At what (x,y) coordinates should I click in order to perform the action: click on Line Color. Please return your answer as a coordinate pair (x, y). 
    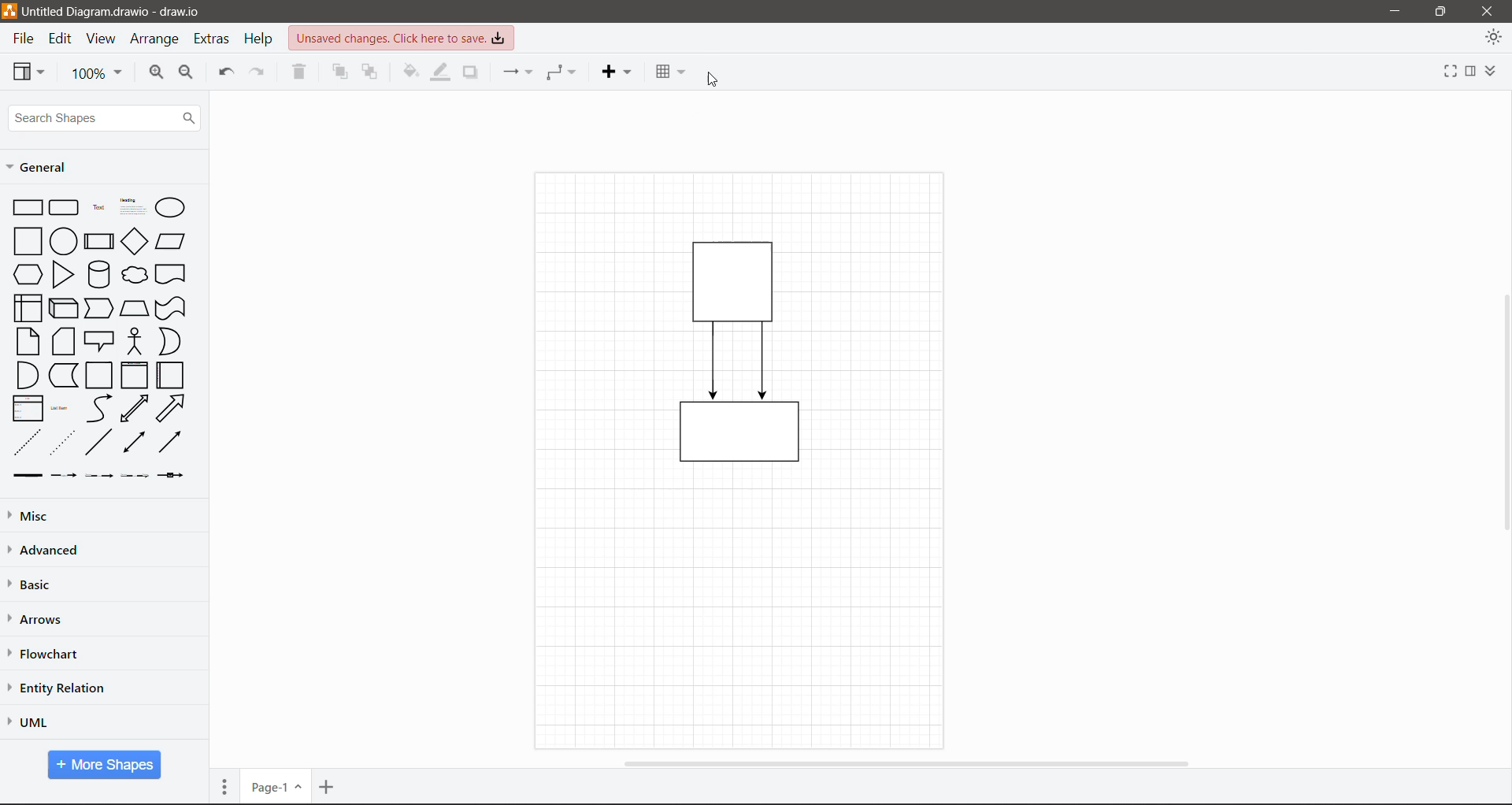
    Looking at the image, I should click on (438, 73).